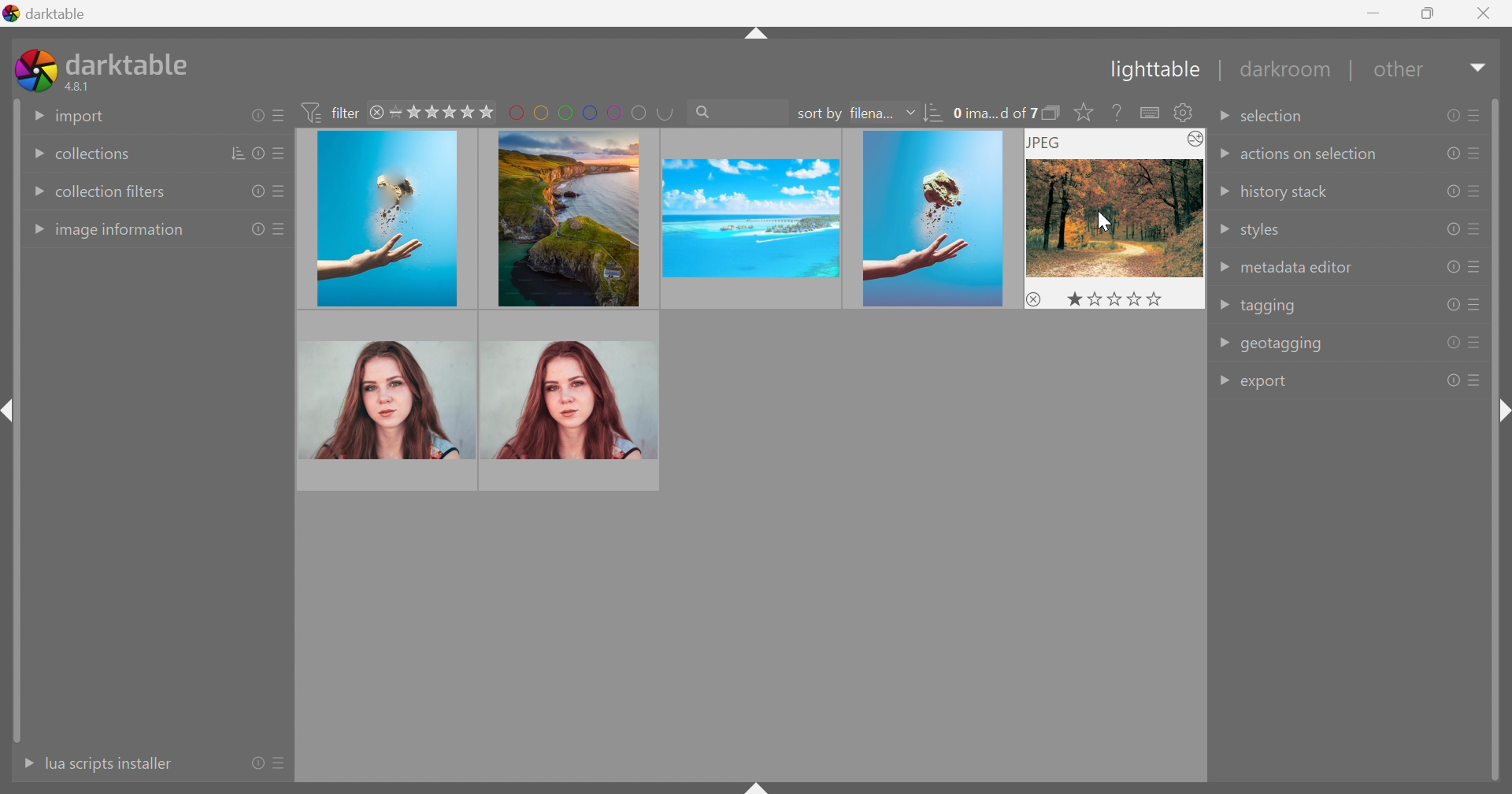 The image size is (1512, 794). I want to click on collapse grouped images, so click(1052, 113).